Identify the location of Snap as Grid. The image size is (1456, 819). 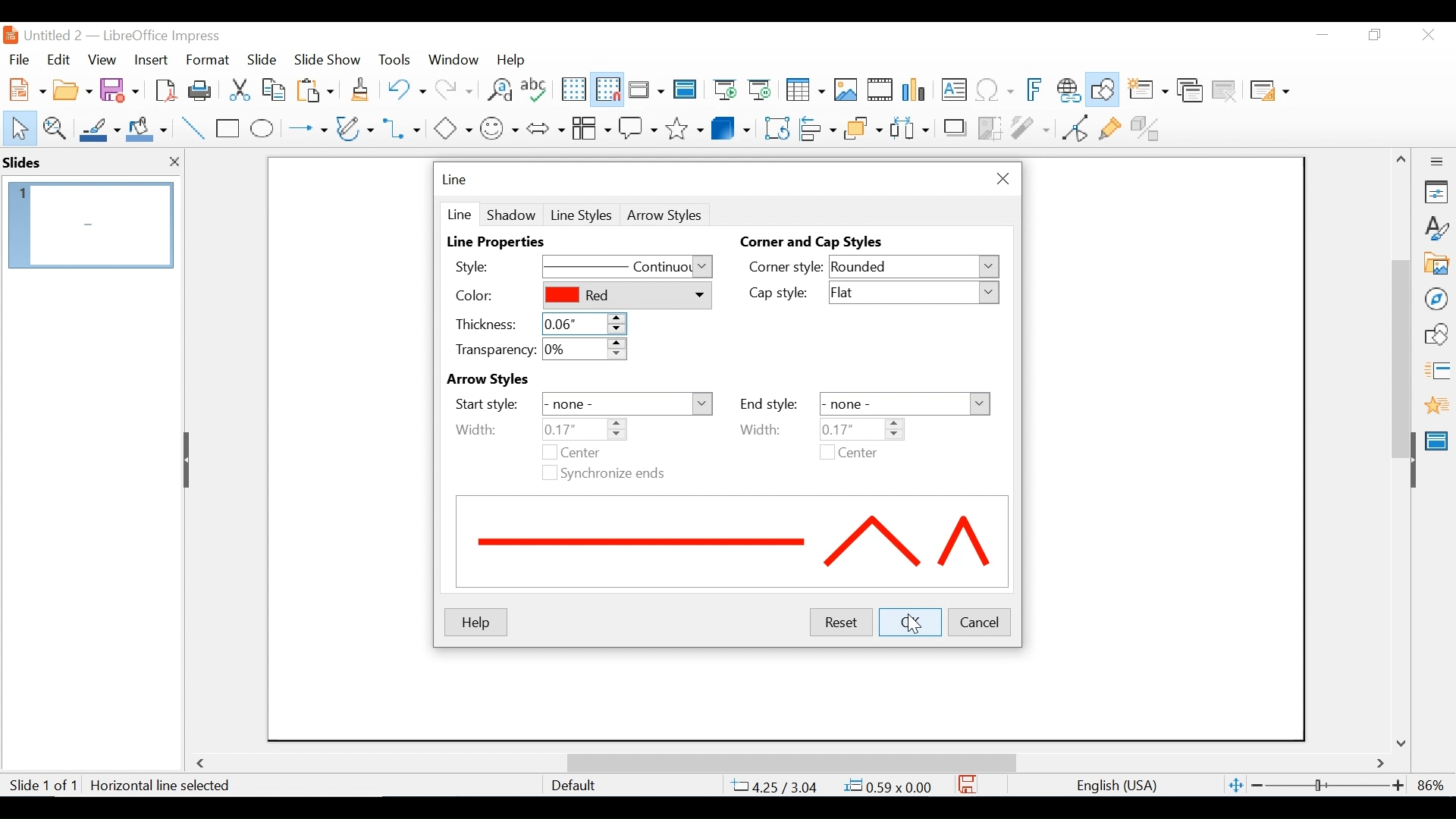
(607, 89).